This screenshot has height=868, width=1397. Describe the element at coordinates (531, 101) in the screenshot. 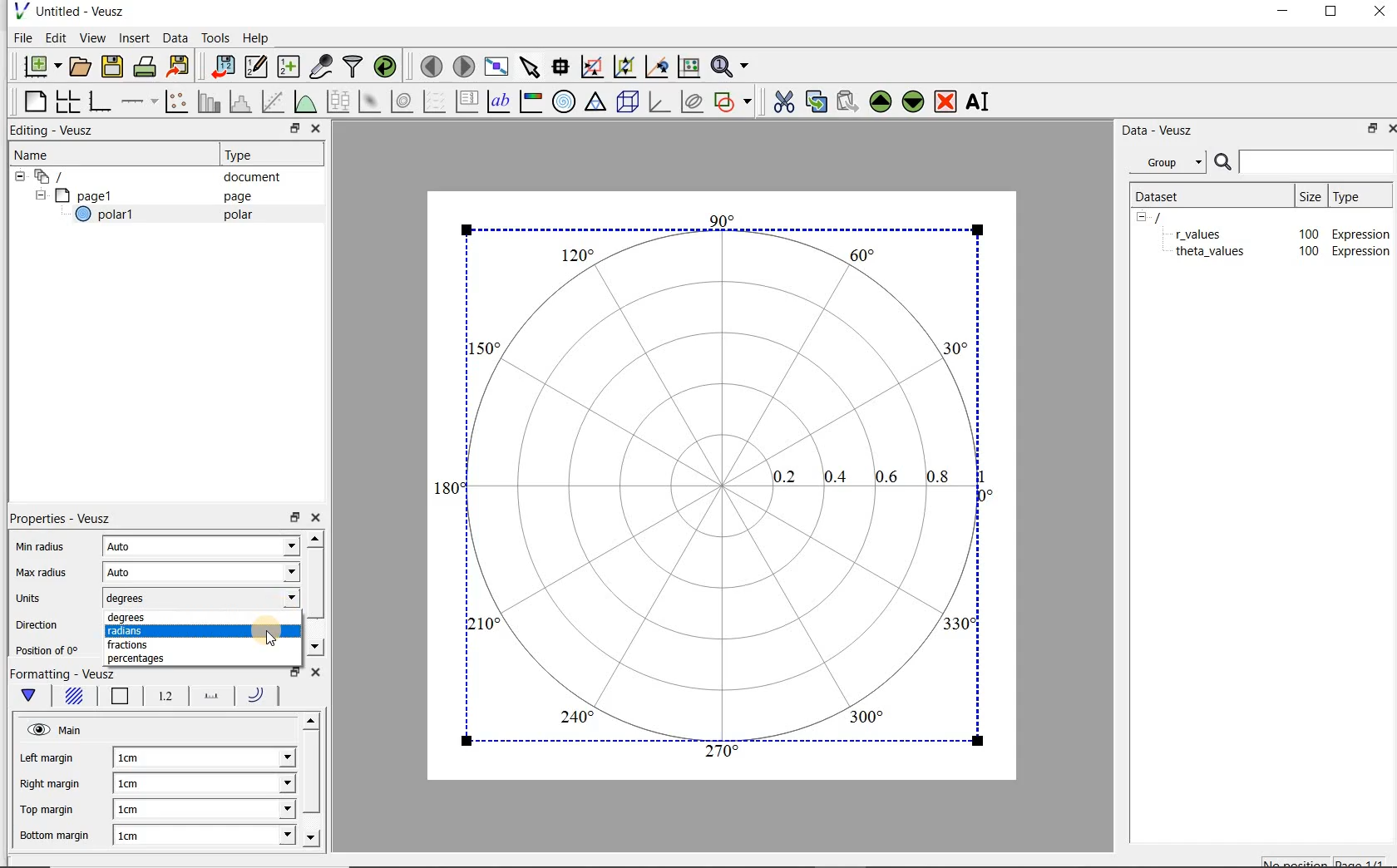

I see `image color bar` at that location.